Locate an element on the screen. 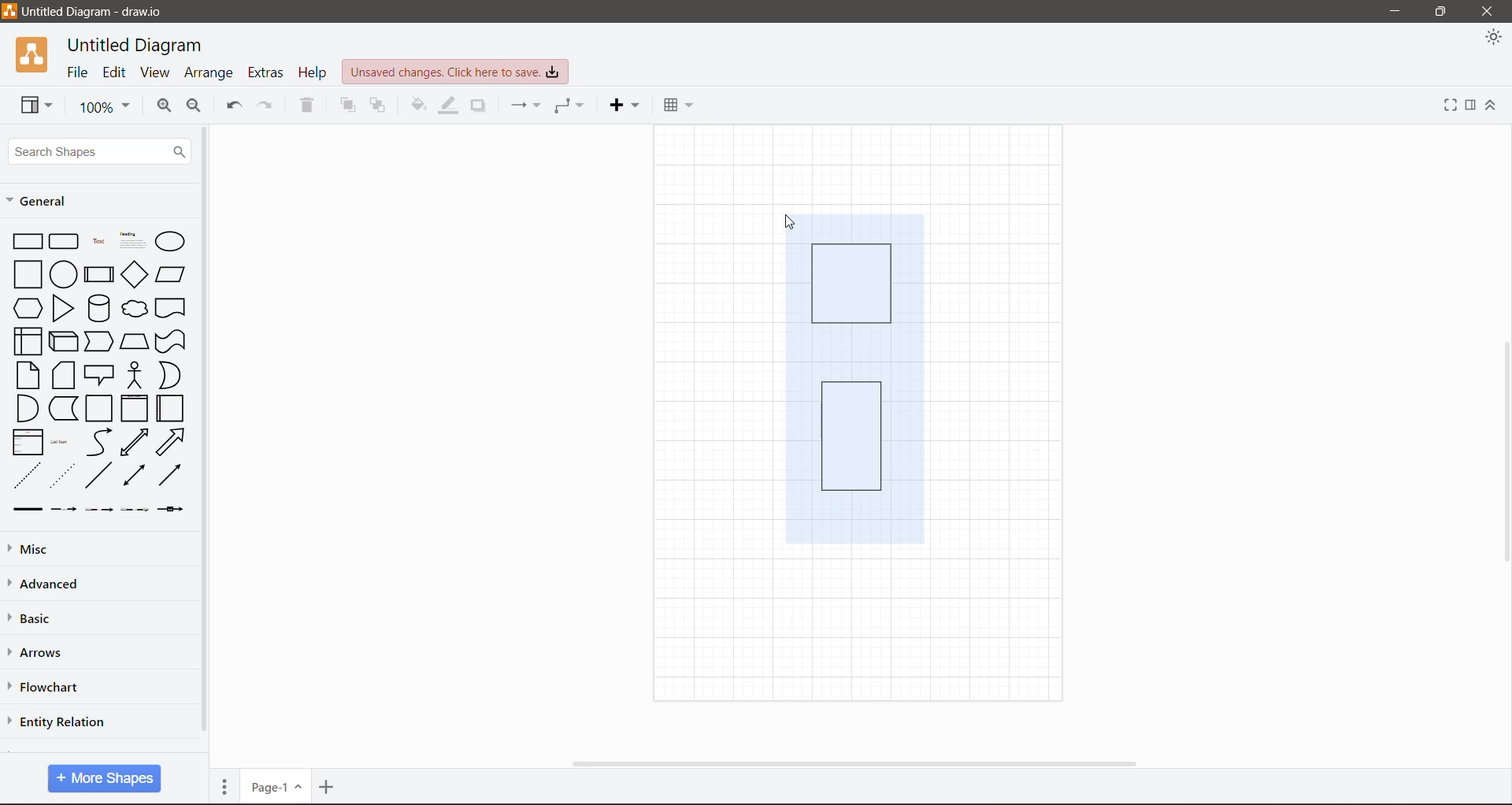  View is located at coordinates (36, 105).